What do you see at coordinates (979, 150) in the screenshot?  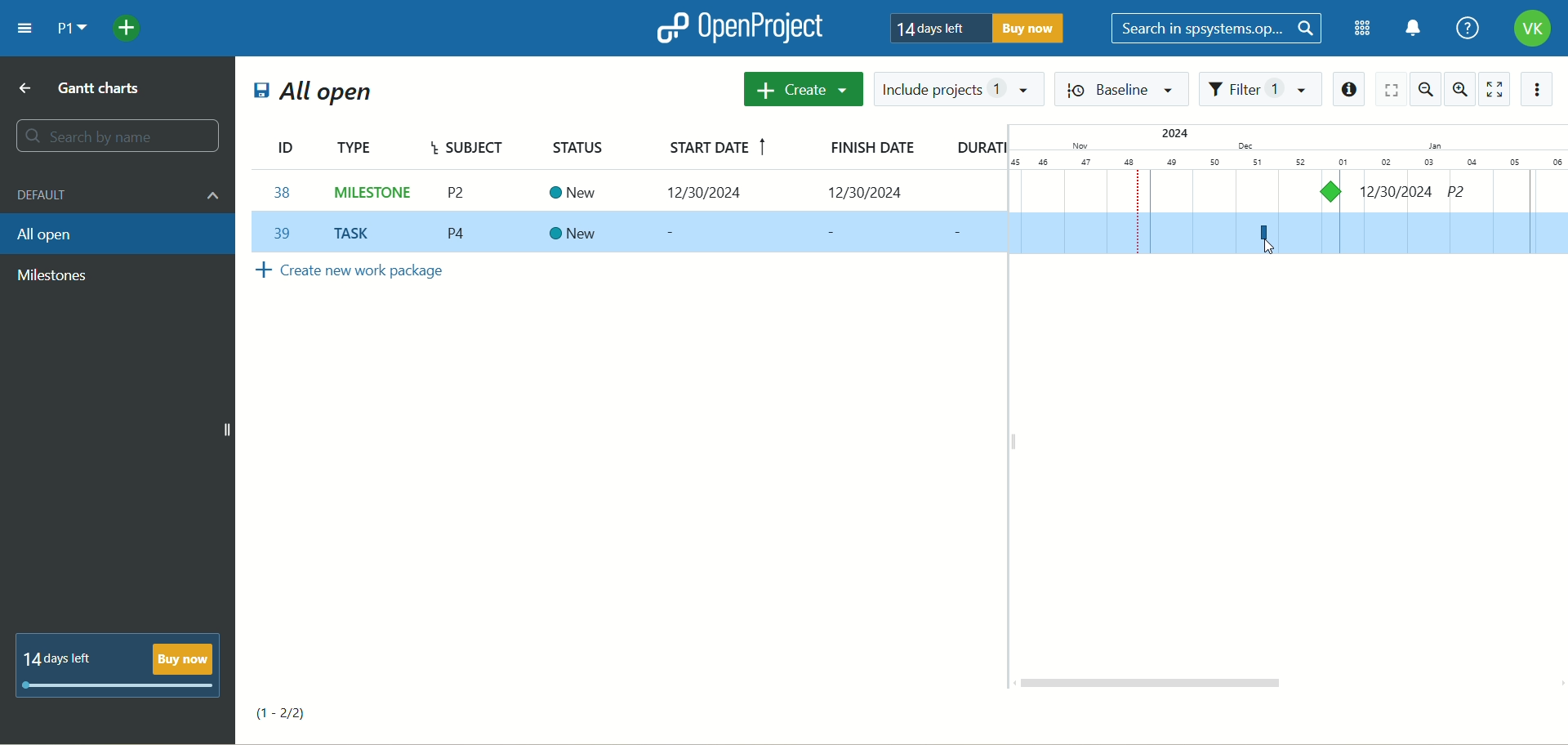 I see `duration` at bounding box center [979, 150].